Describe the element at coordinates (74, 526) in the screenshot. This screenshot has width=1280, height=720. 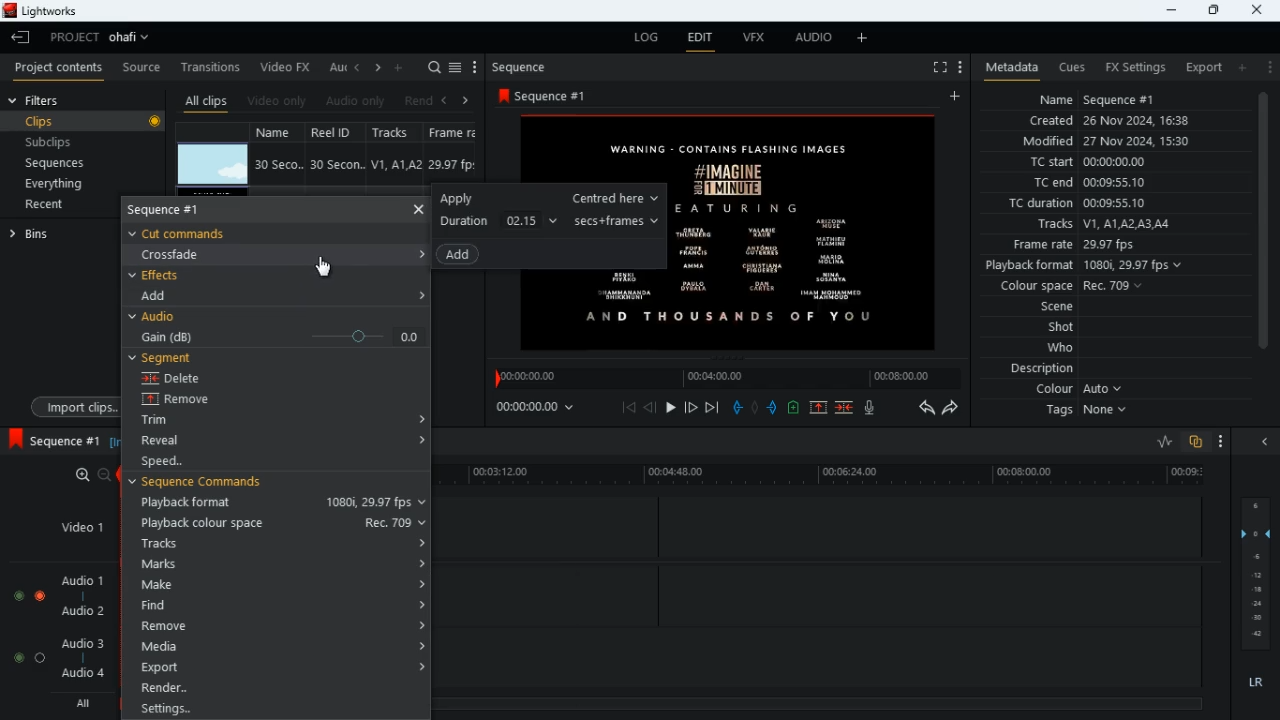
I see `video 1` at that location.